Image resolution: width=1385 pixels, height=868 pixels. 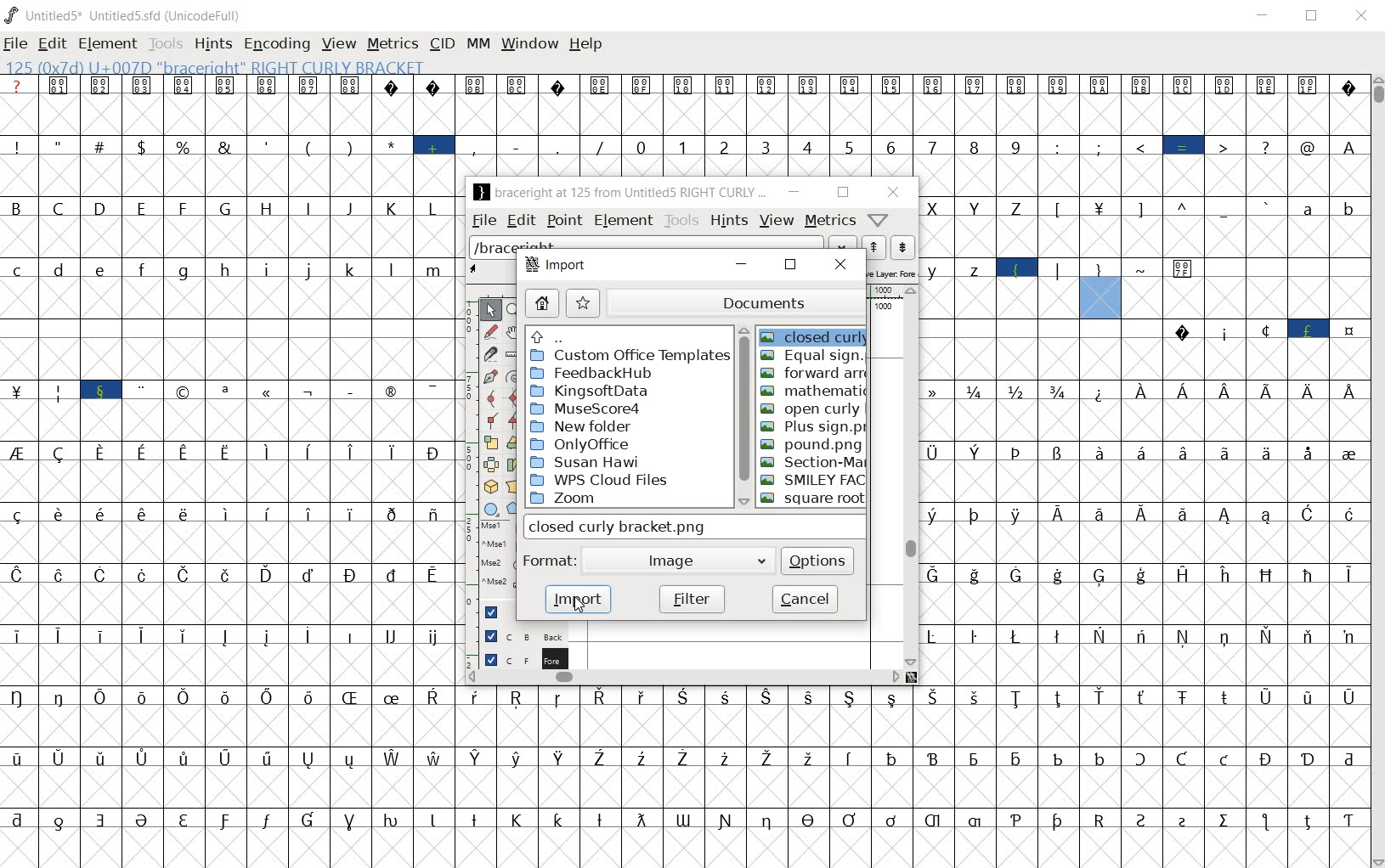 What do you see at coordinates (52, 45) in the screenshot?
I see `EDIT` at bounding box center [52, 45].